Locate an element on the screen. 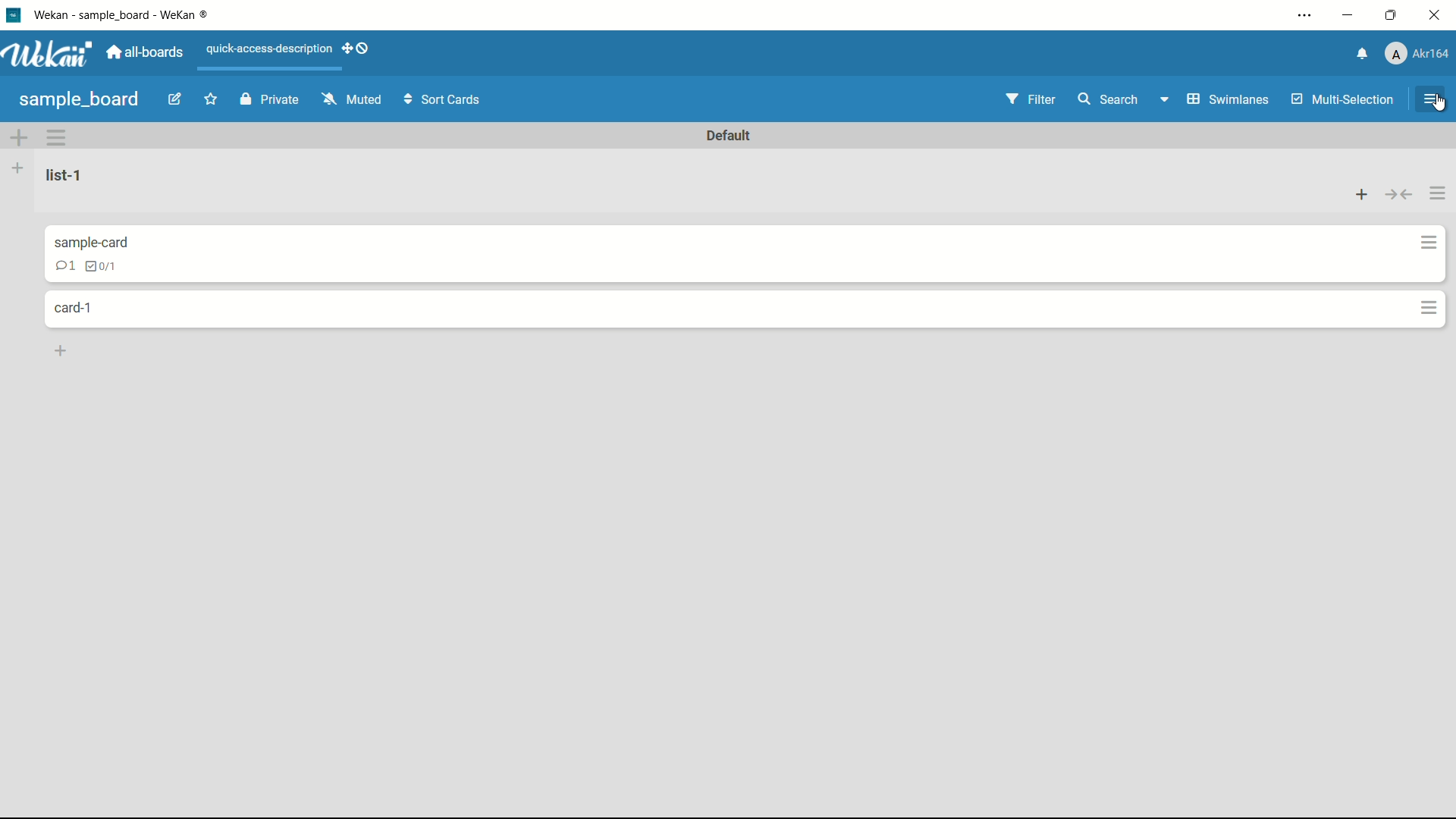 Image resolution: width=1456 pixels, height=819 pixels. add card is located at coordinates (62, 350).